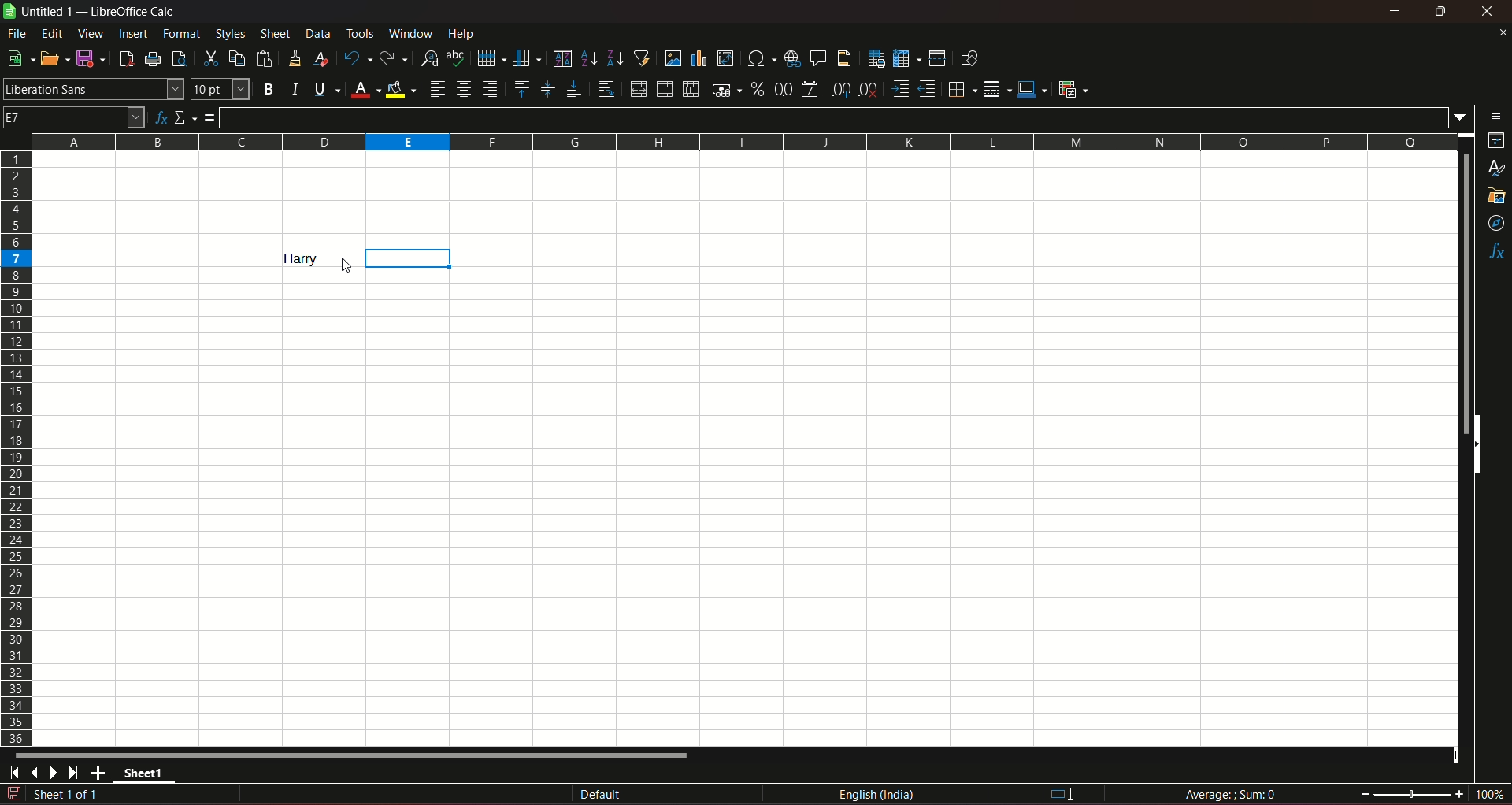 The width and height of the screenshot is (1512, 805). What do you see at coordinates (642, 57) in the screenshot?
I see `auto filter` at bounding box center [642, 57].